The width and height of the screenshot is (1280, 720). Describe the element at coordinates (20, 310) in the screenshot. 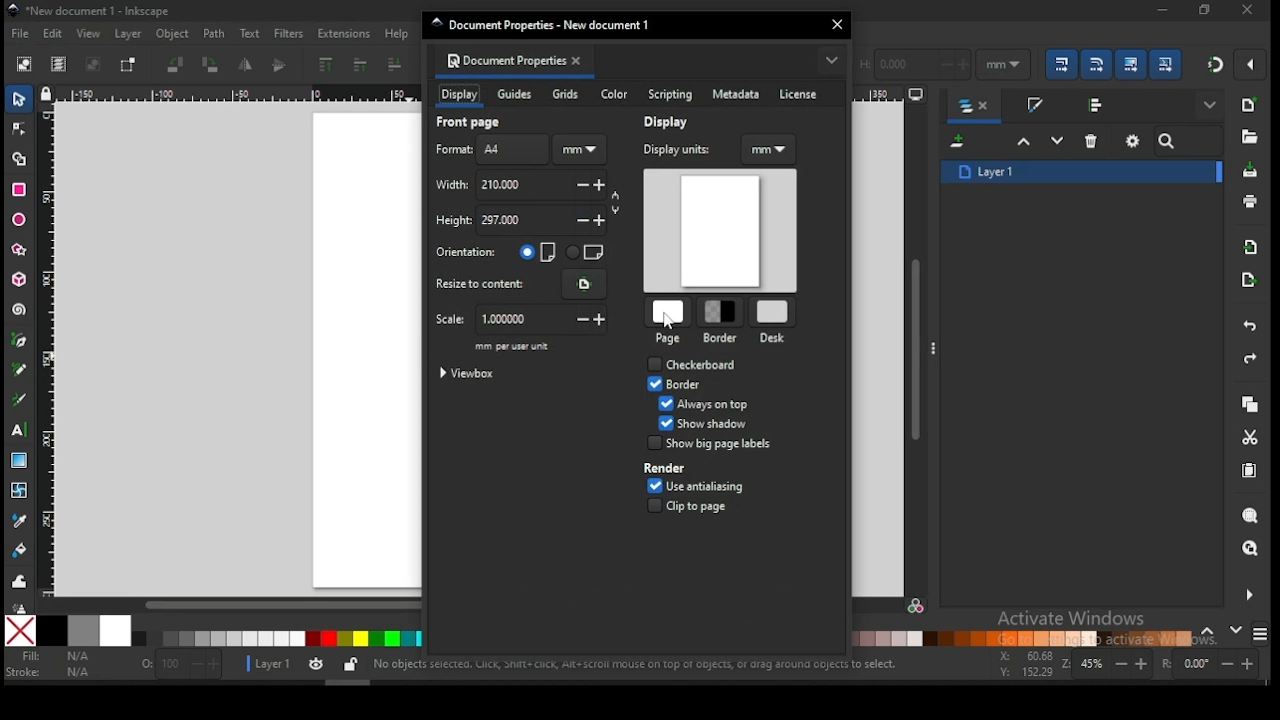

I see `spiral tool` at that location.